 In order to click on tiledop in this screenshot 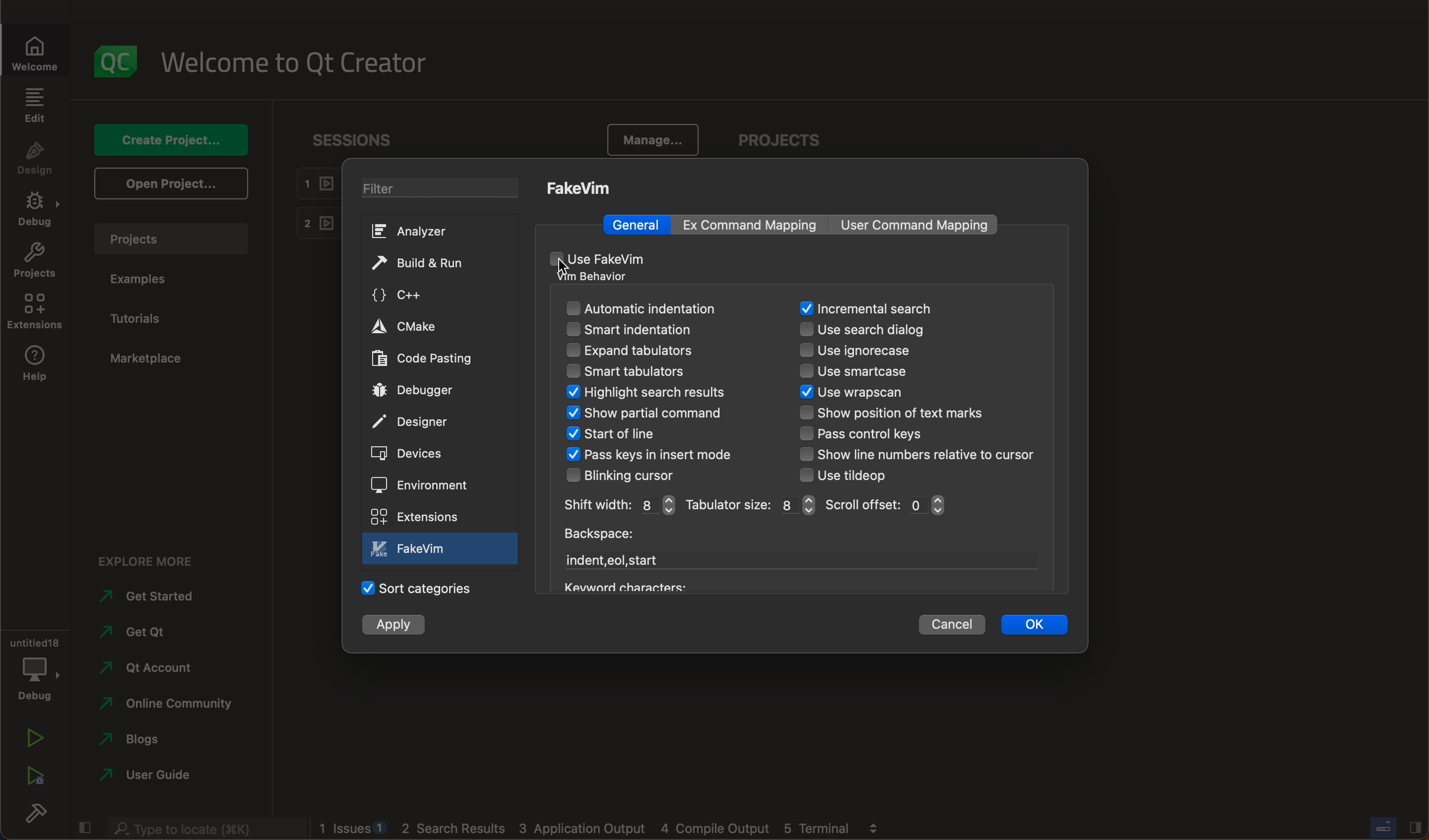, I will do `click(853, 476)`.